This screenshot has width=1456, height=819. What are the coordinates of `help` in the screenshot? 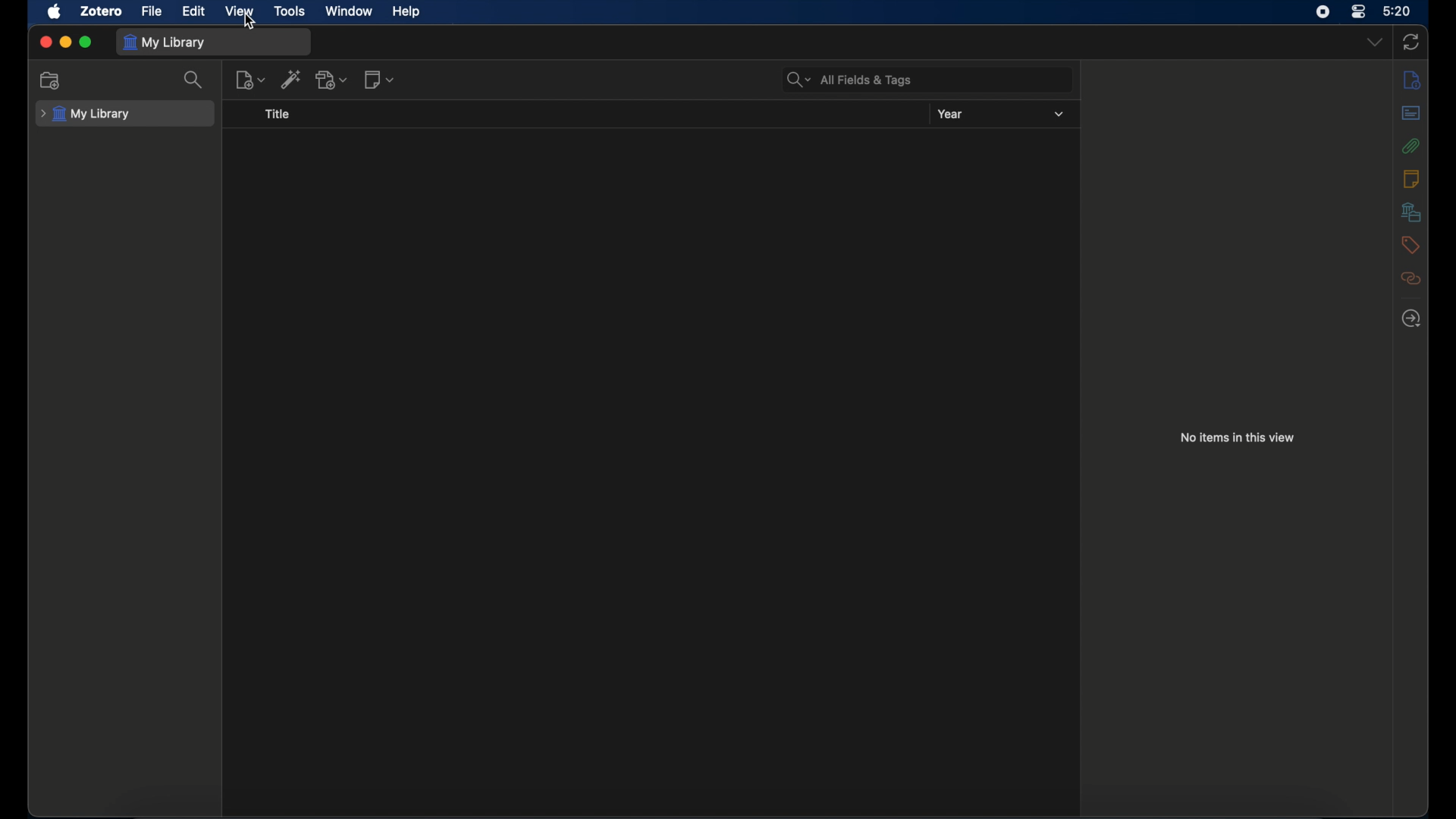 It's located at (406, 11).